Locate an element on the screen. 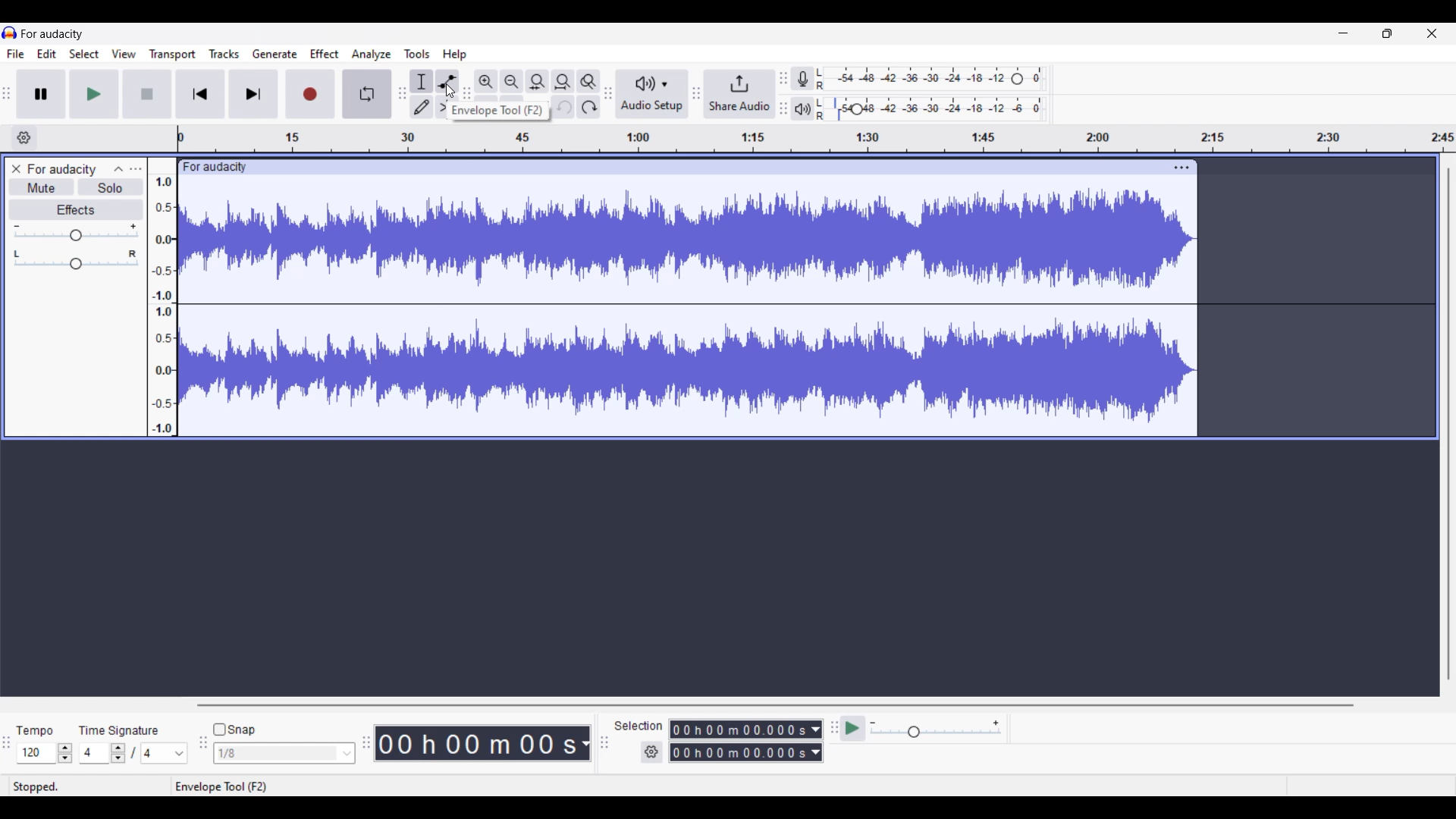  Solo is located at coordinates (110, 187).